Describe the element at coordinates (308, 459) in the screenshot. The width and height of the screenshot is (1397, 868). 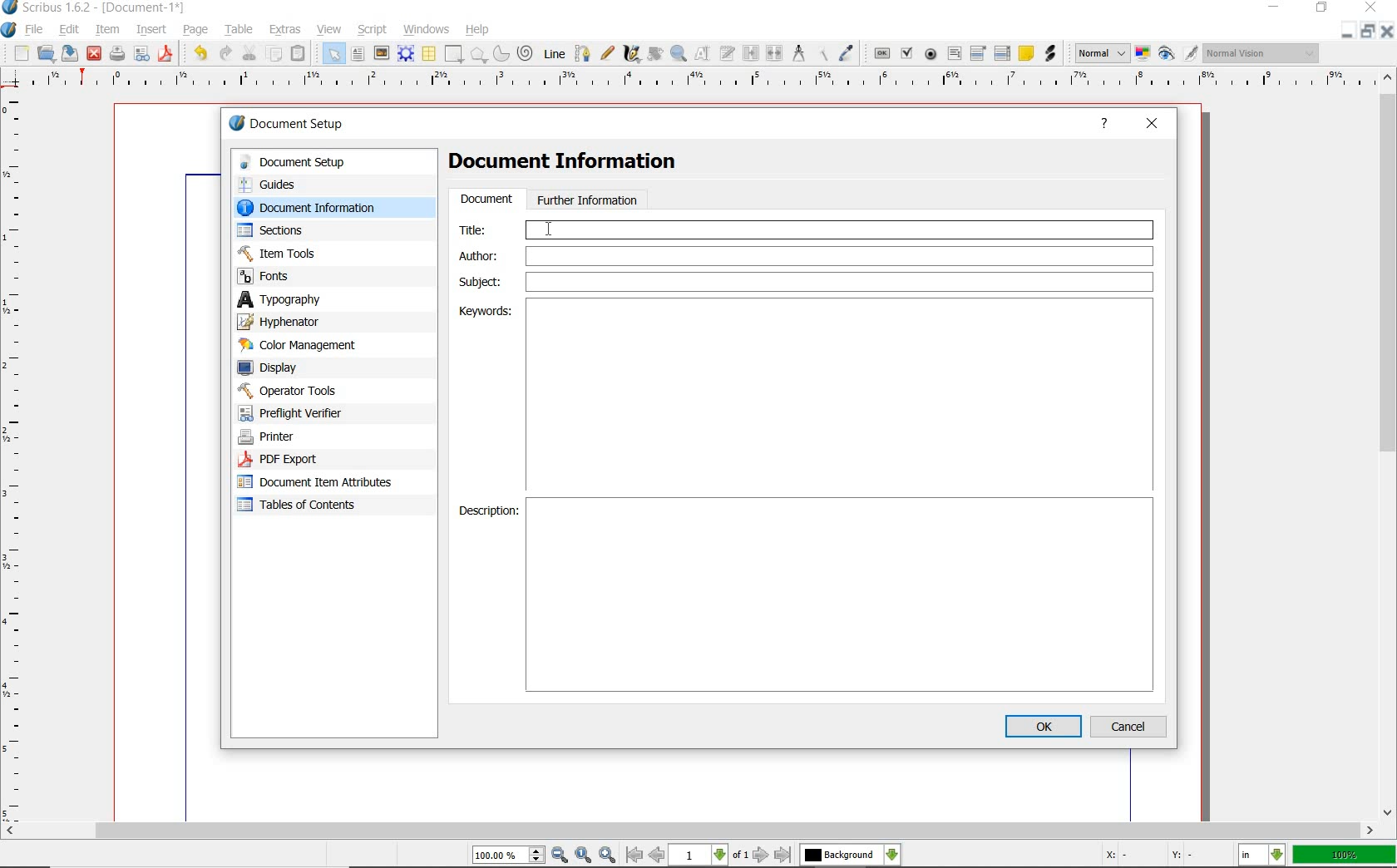
I see `PDF Export` at that location.